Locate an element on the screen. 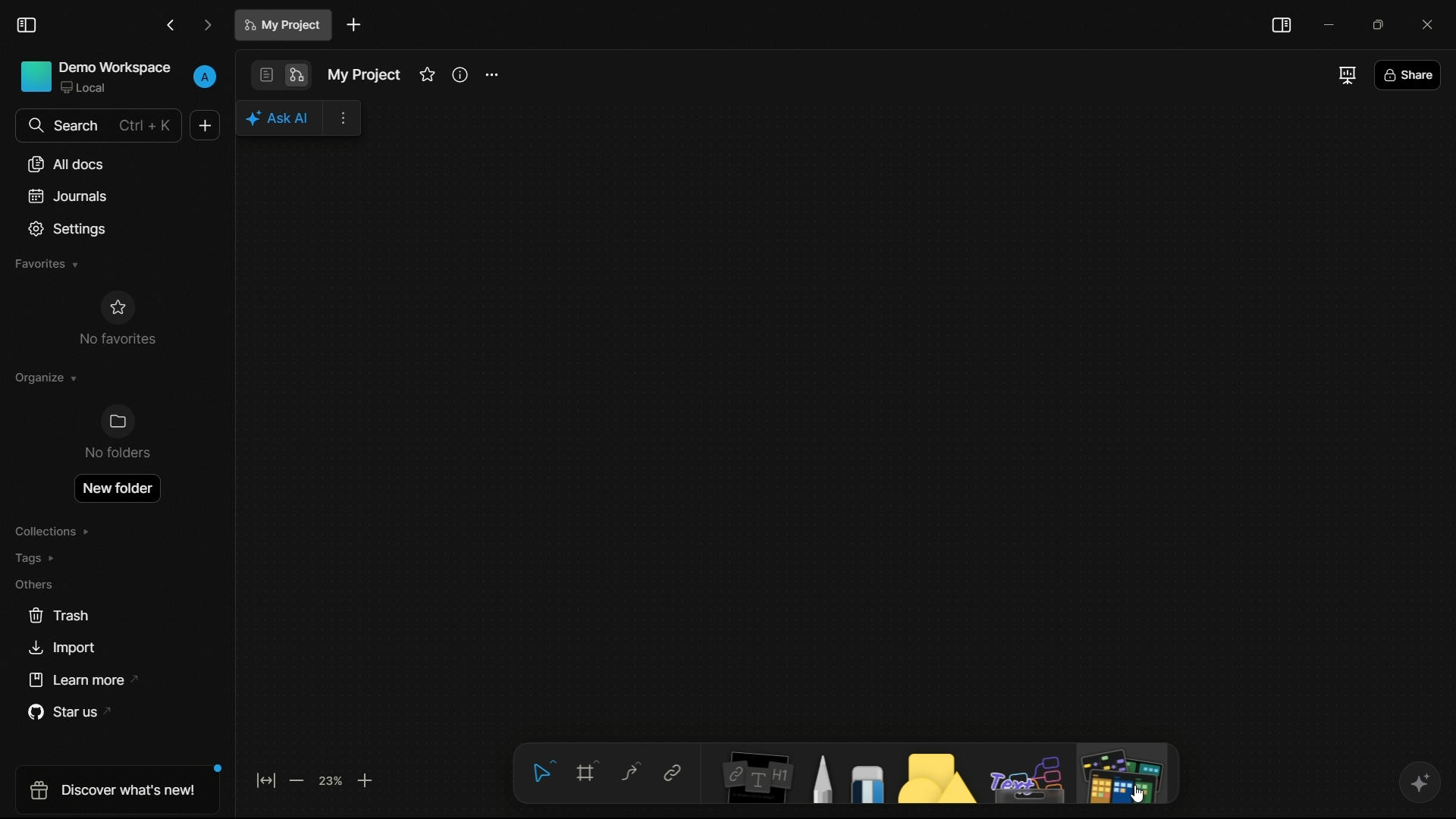  others is located at coordinates (33, 584).